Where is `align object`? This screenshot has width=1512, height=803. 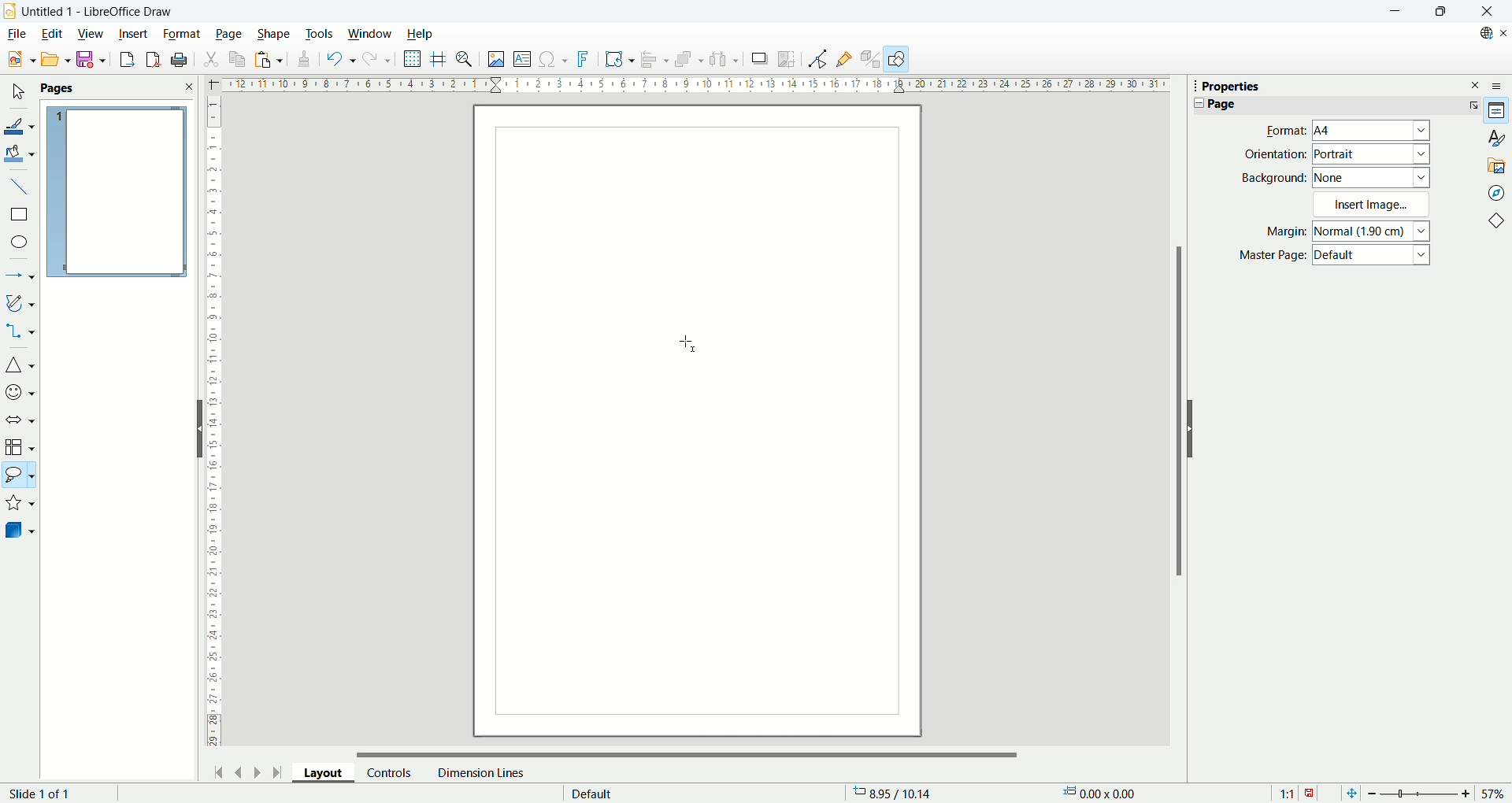 align object is located at coordinates (658, 60).